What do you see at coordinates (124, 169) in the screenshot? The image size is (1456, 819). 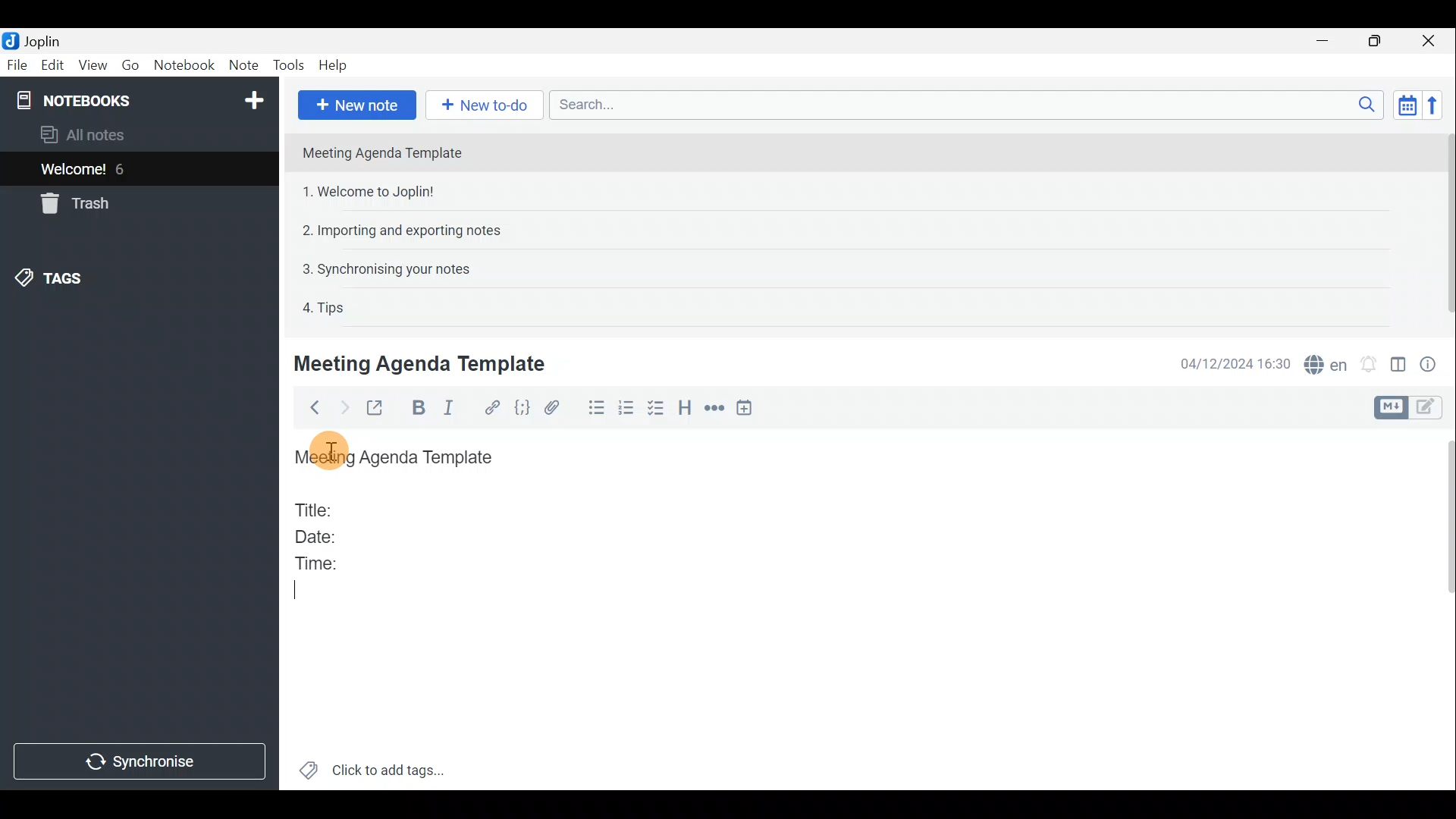 I see `6` at bounding box center [124, 169].